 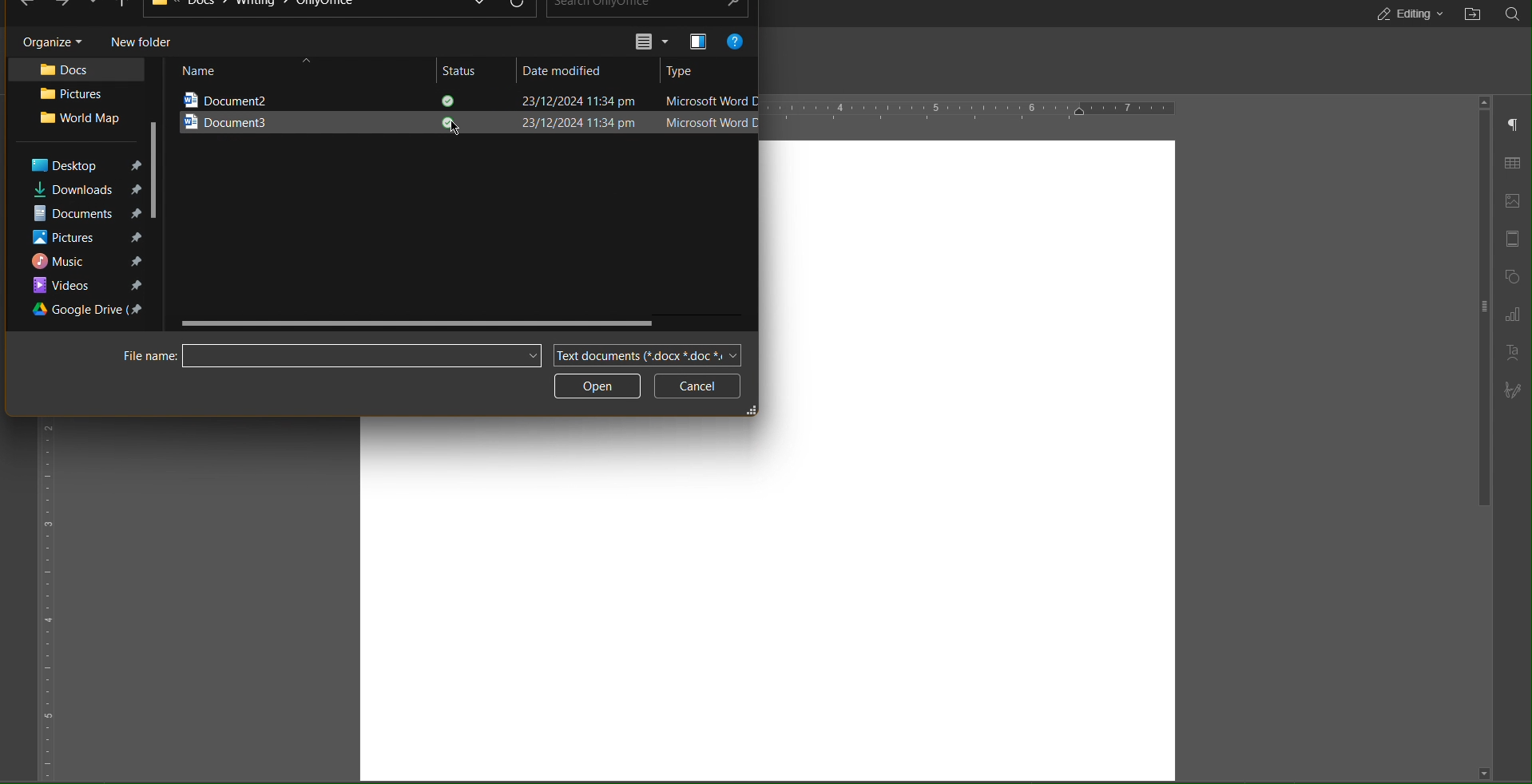 I want to click on Document Type, so click(x=648, y=354).